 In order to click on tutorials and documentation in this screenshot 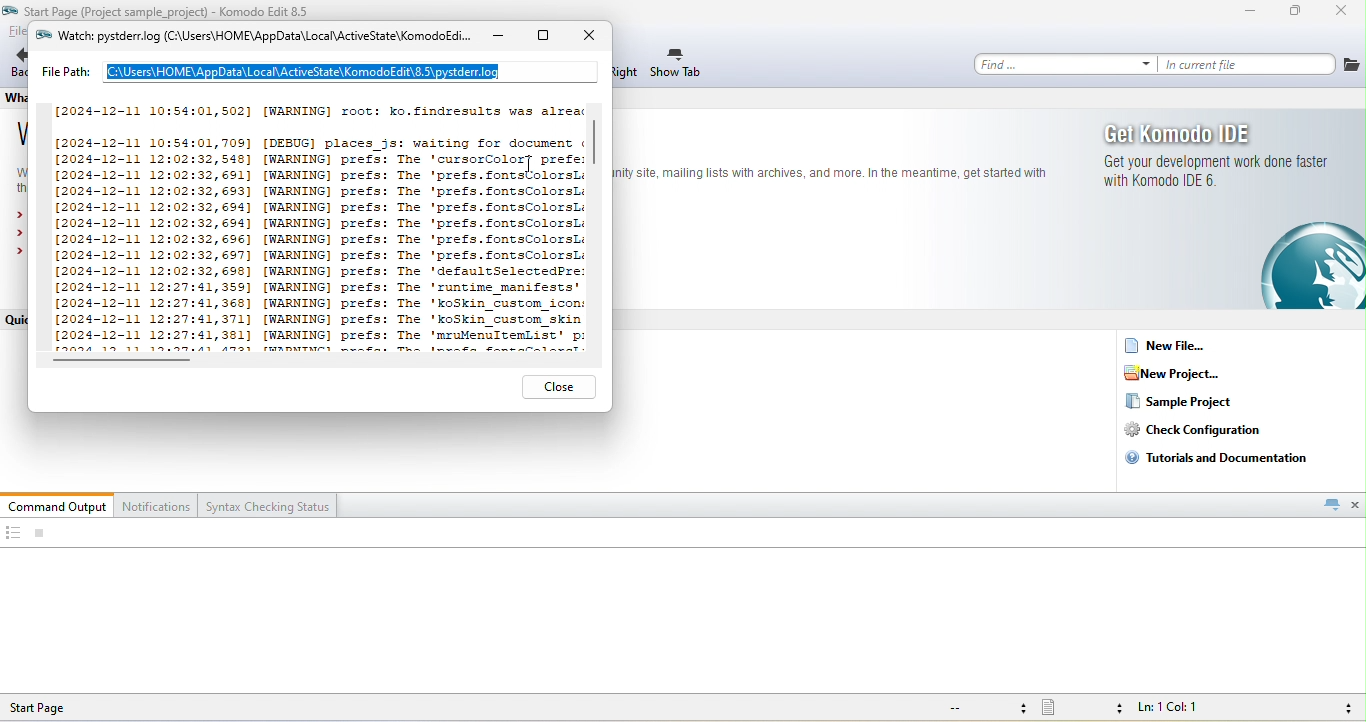, I will do `click(1222, 457)`.